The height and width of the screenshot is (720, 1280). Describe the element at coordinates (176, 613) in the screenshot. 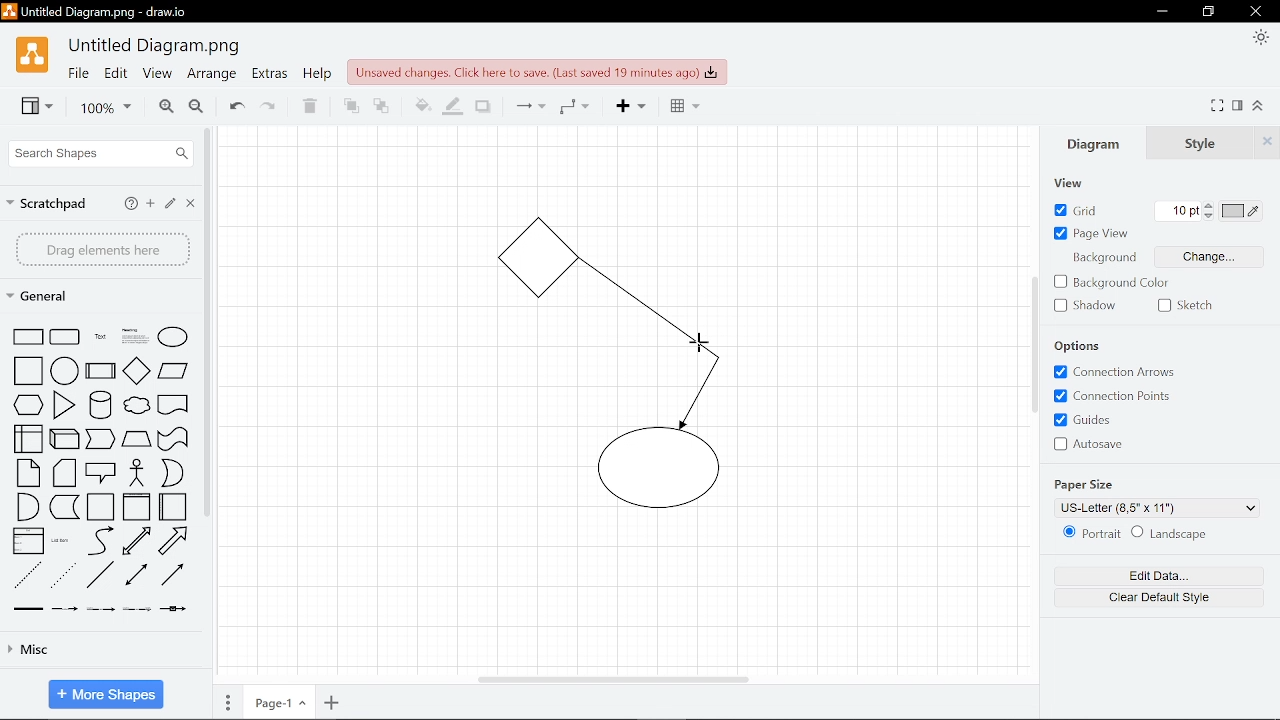

I see `shape` at that location.